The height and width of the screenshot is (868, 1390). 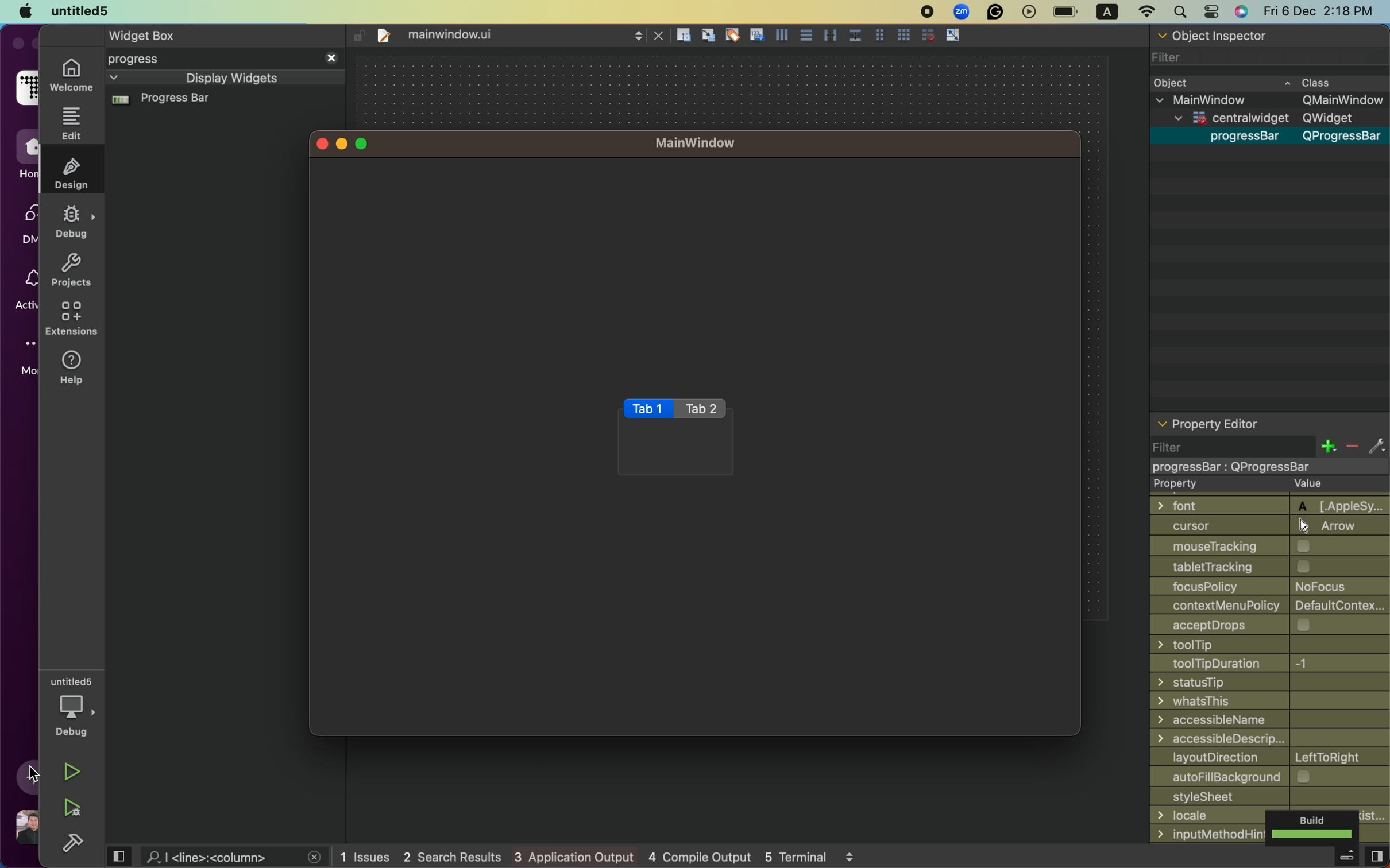 I want to click on accept drops, so click(x=1270, y=625).